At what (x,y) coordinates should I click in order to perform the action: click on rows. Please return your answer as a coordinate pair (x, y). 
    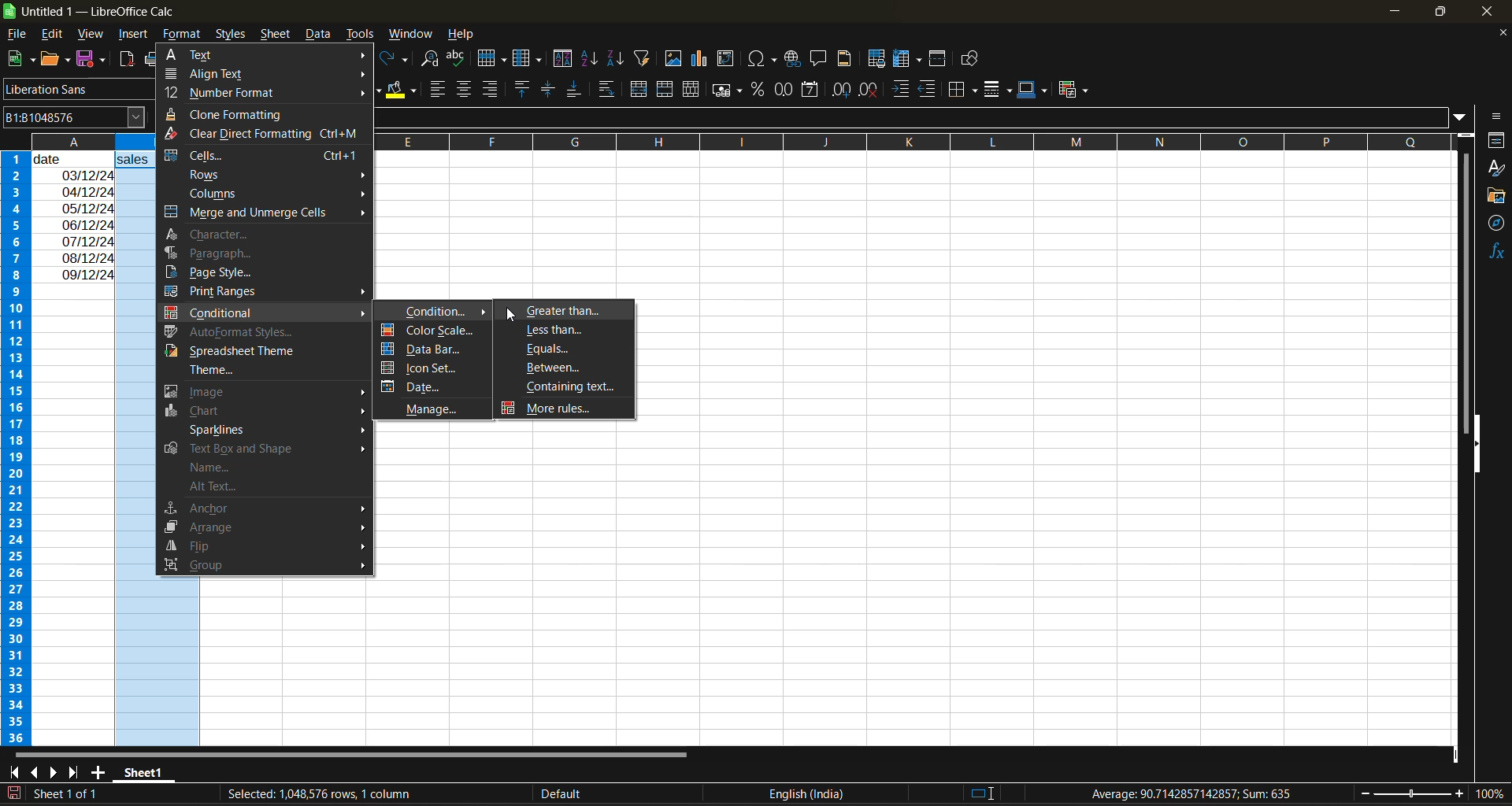
    Looking at the image, I should click on (904, 140).